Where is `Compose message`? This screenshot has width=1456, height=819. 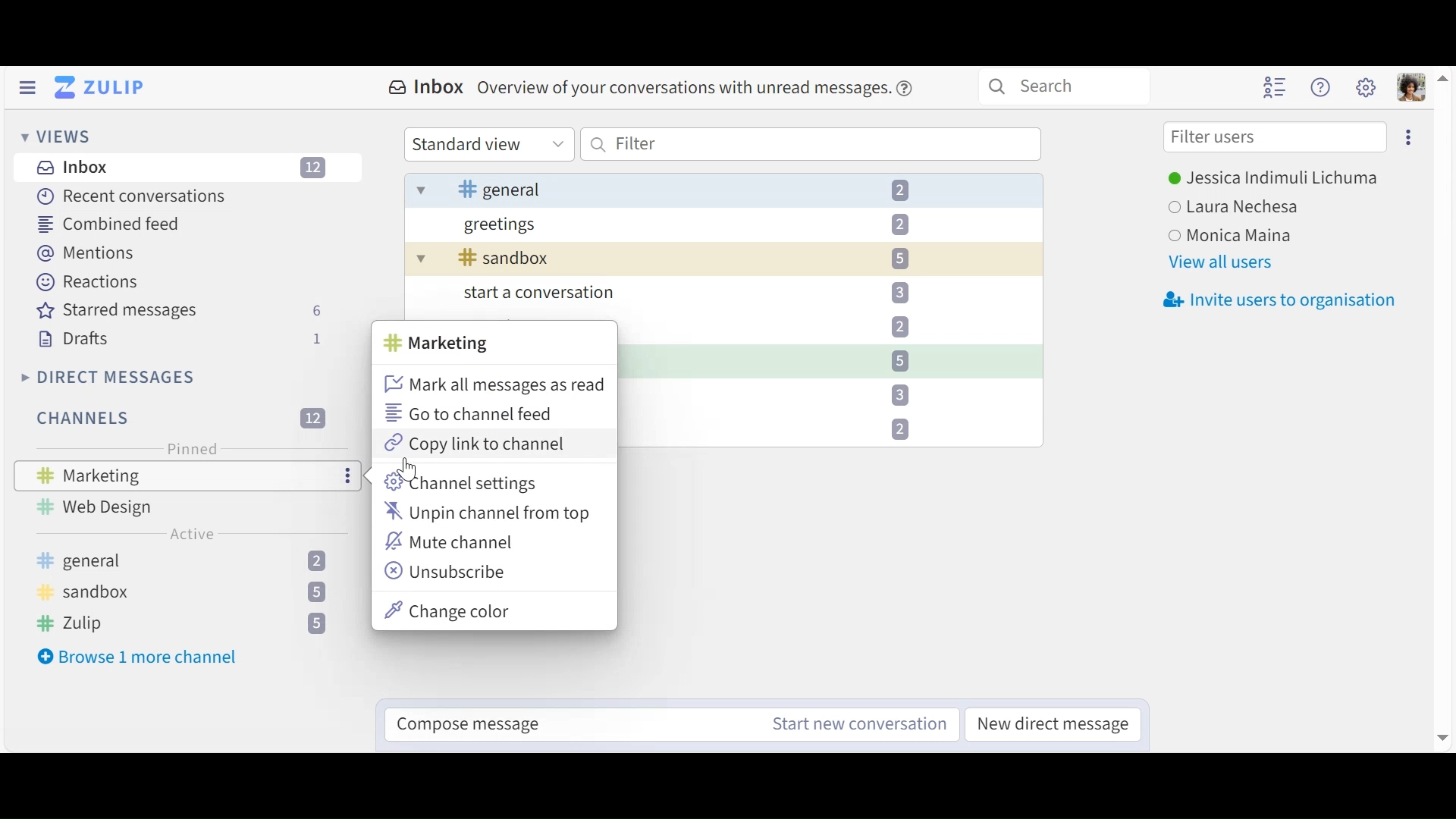 Compose message is located at coordinates (478, 727).